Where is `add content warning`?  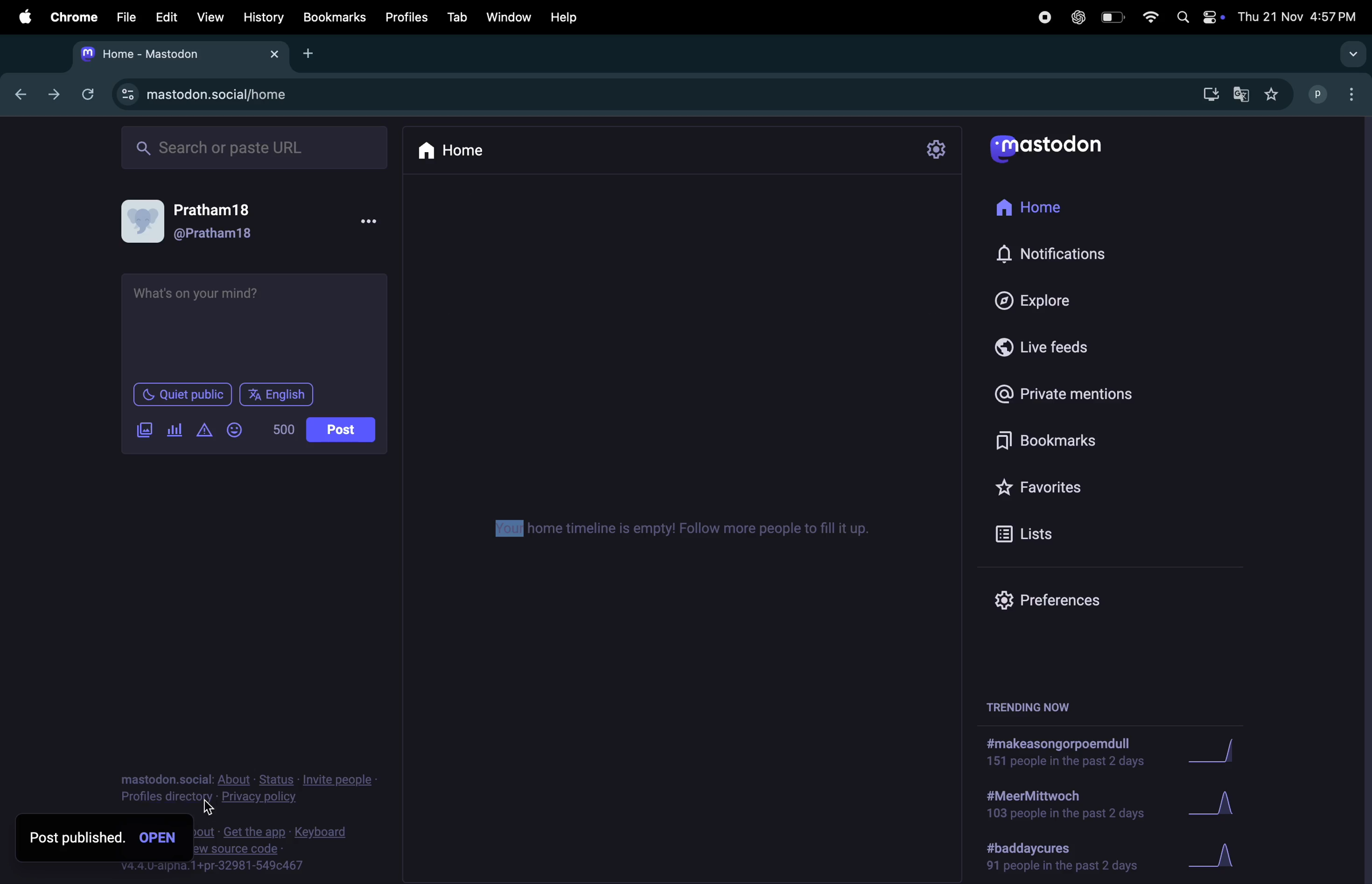
add content warning is located at coordinates (204, 432).